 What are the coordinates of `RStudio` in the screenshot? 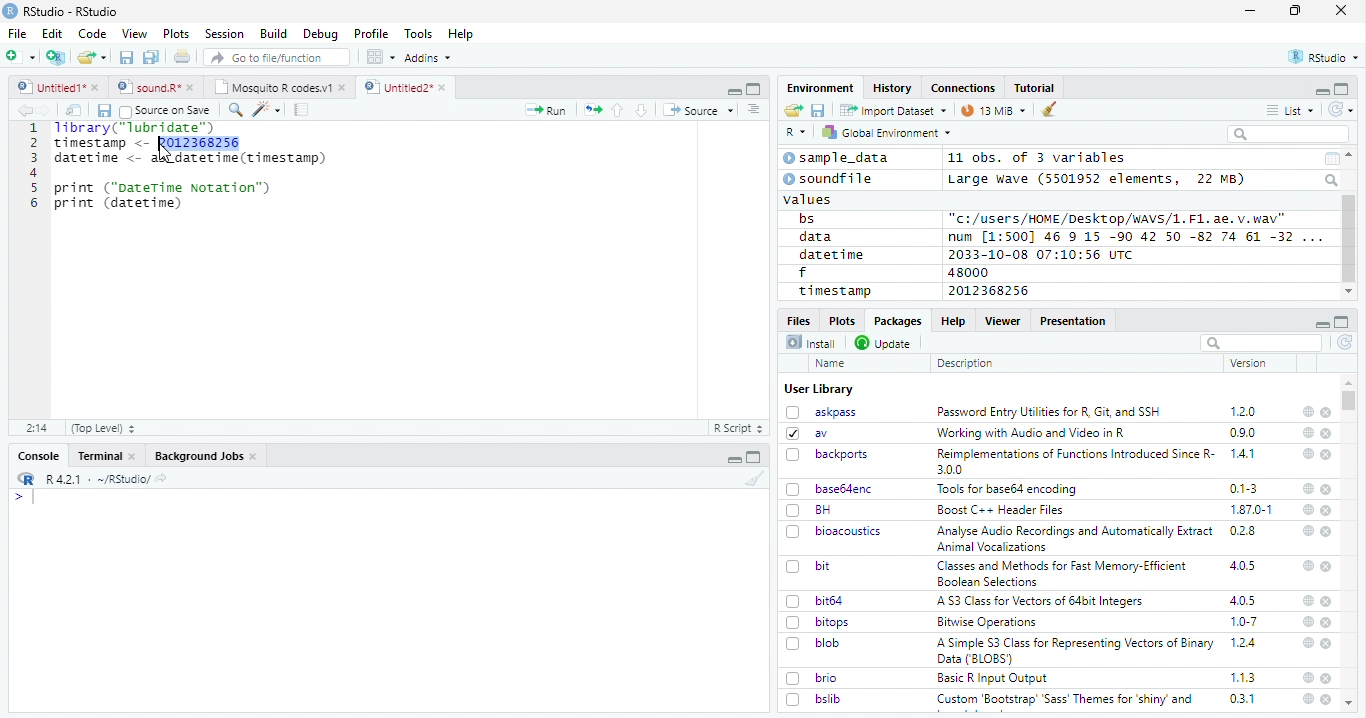 It's located at (1325, 58).